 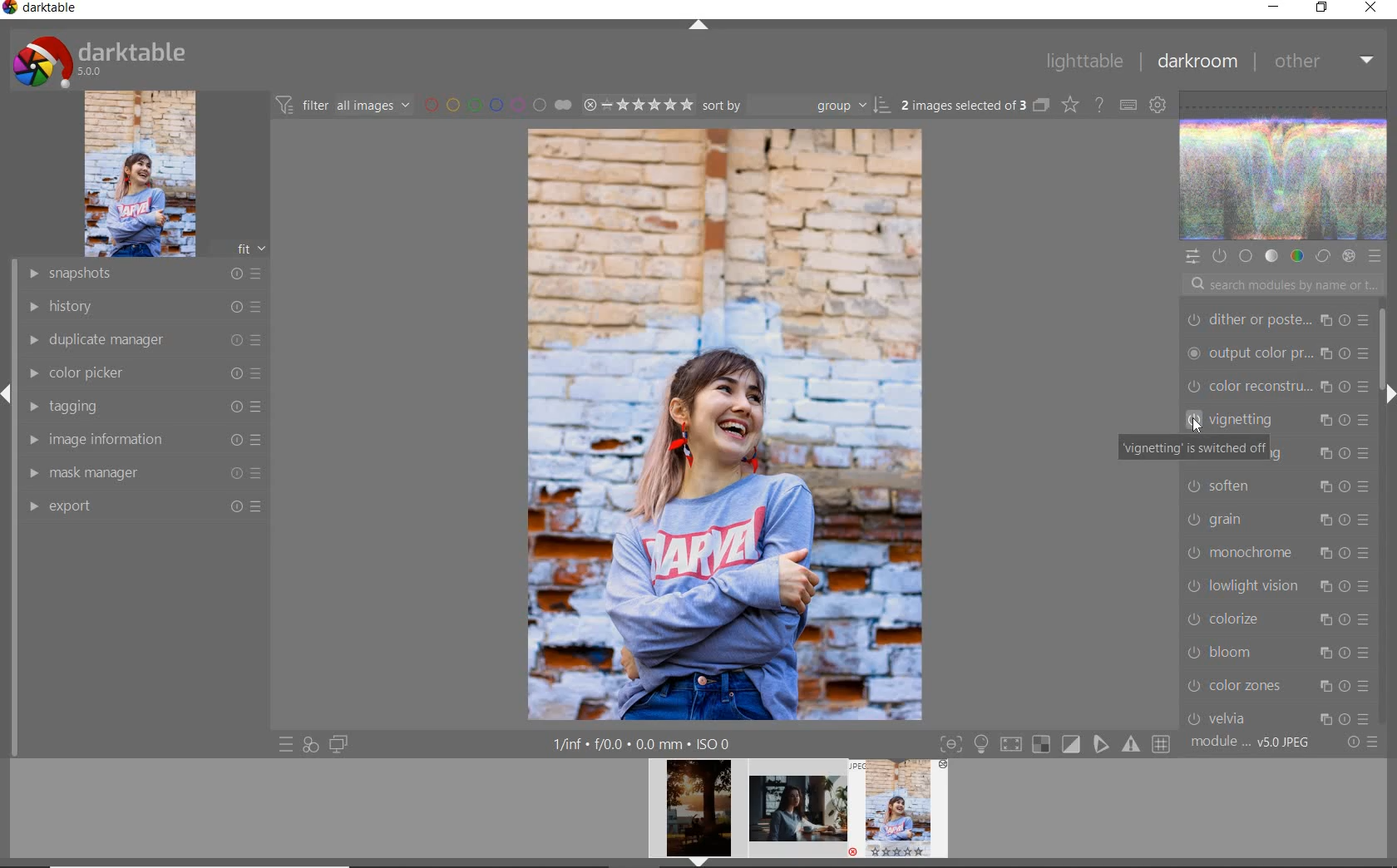 What do you see at coordinates (140, 174) in the screenshot?
I see `image` at bounding box center [140, 174].